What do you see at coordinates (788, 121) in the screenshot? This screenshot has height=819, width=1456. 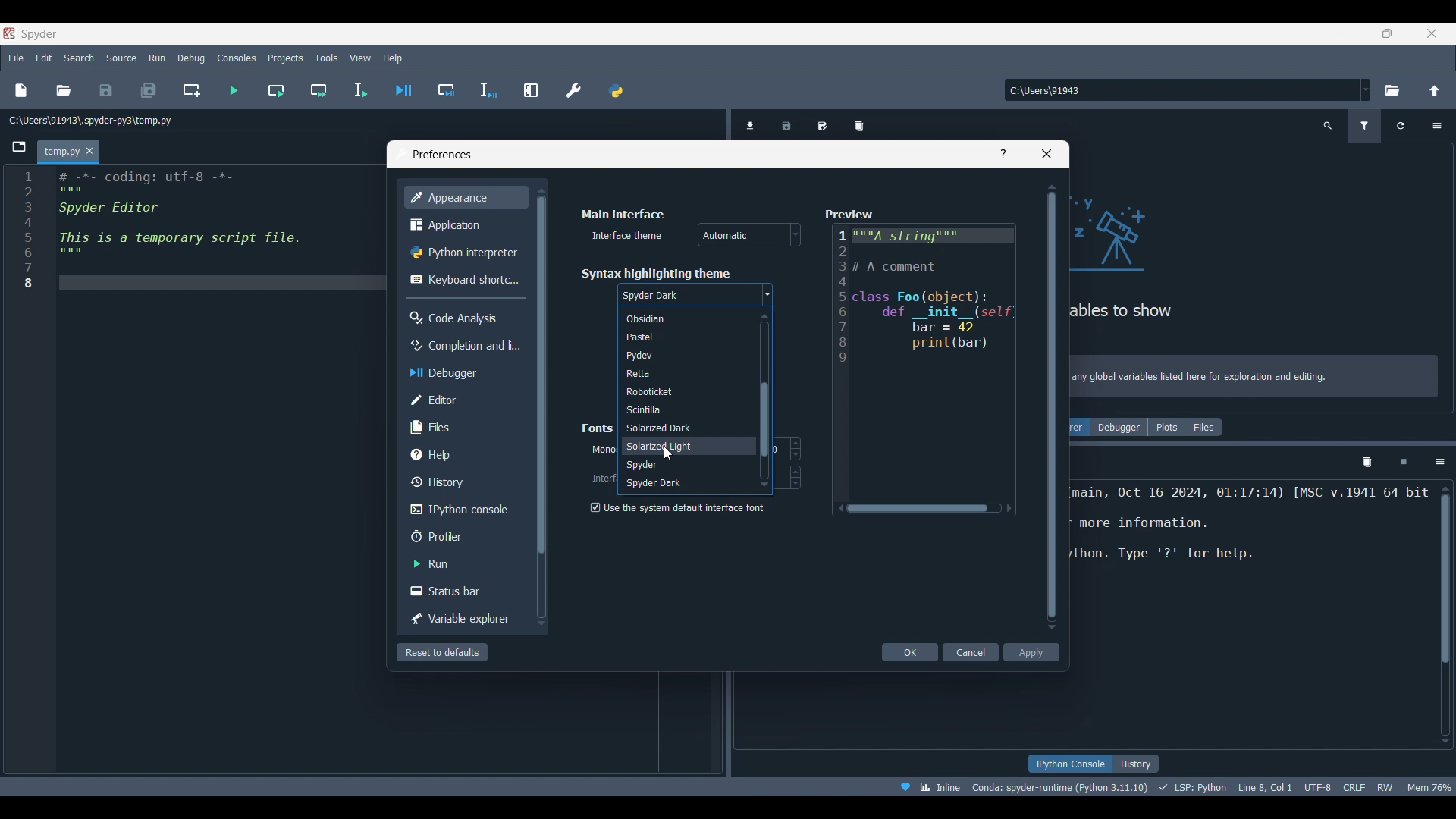 I see `Save data` at bounding box center [788, 121].